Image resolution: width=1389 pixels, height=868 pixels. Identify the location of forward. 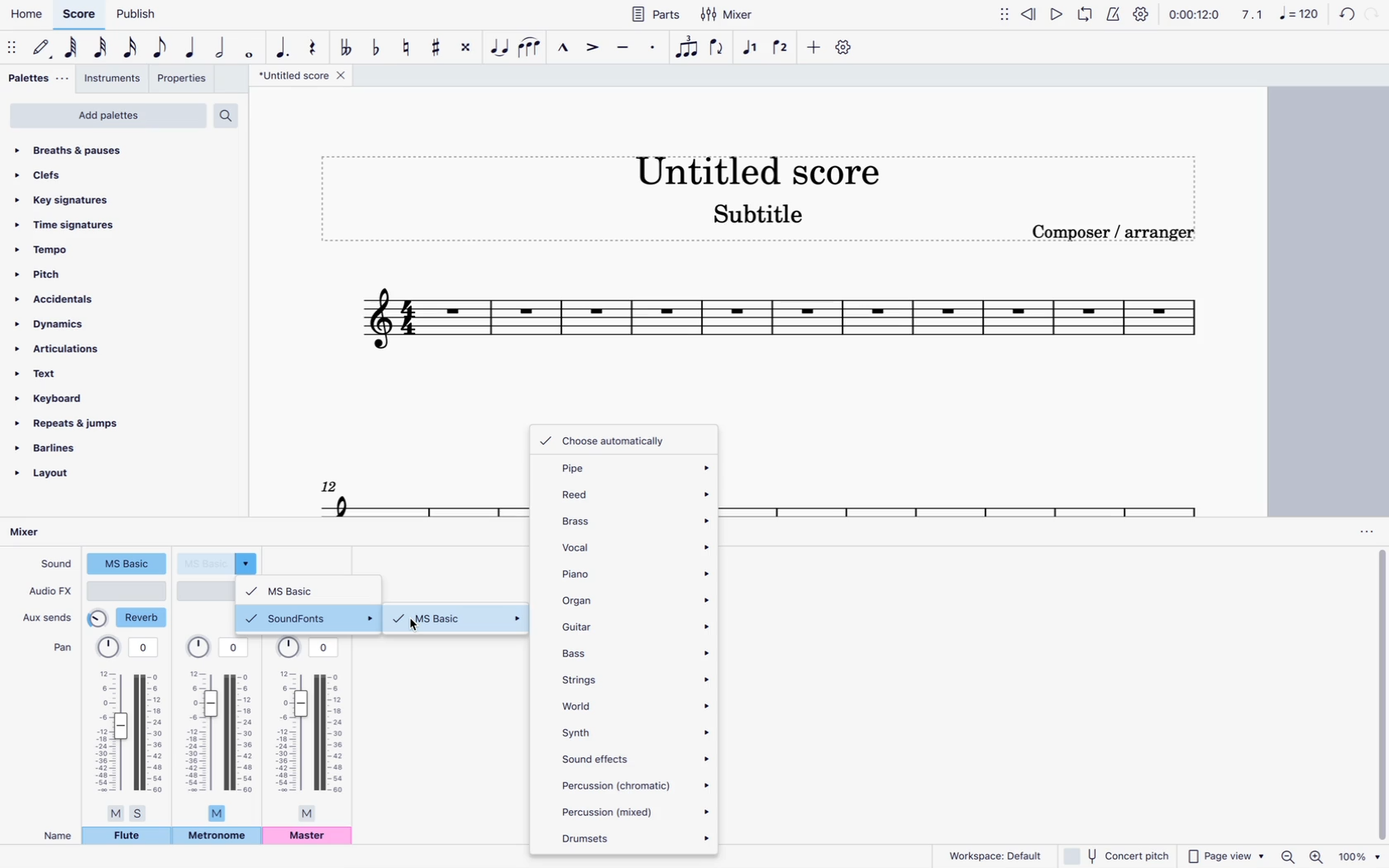
(1376, 13).